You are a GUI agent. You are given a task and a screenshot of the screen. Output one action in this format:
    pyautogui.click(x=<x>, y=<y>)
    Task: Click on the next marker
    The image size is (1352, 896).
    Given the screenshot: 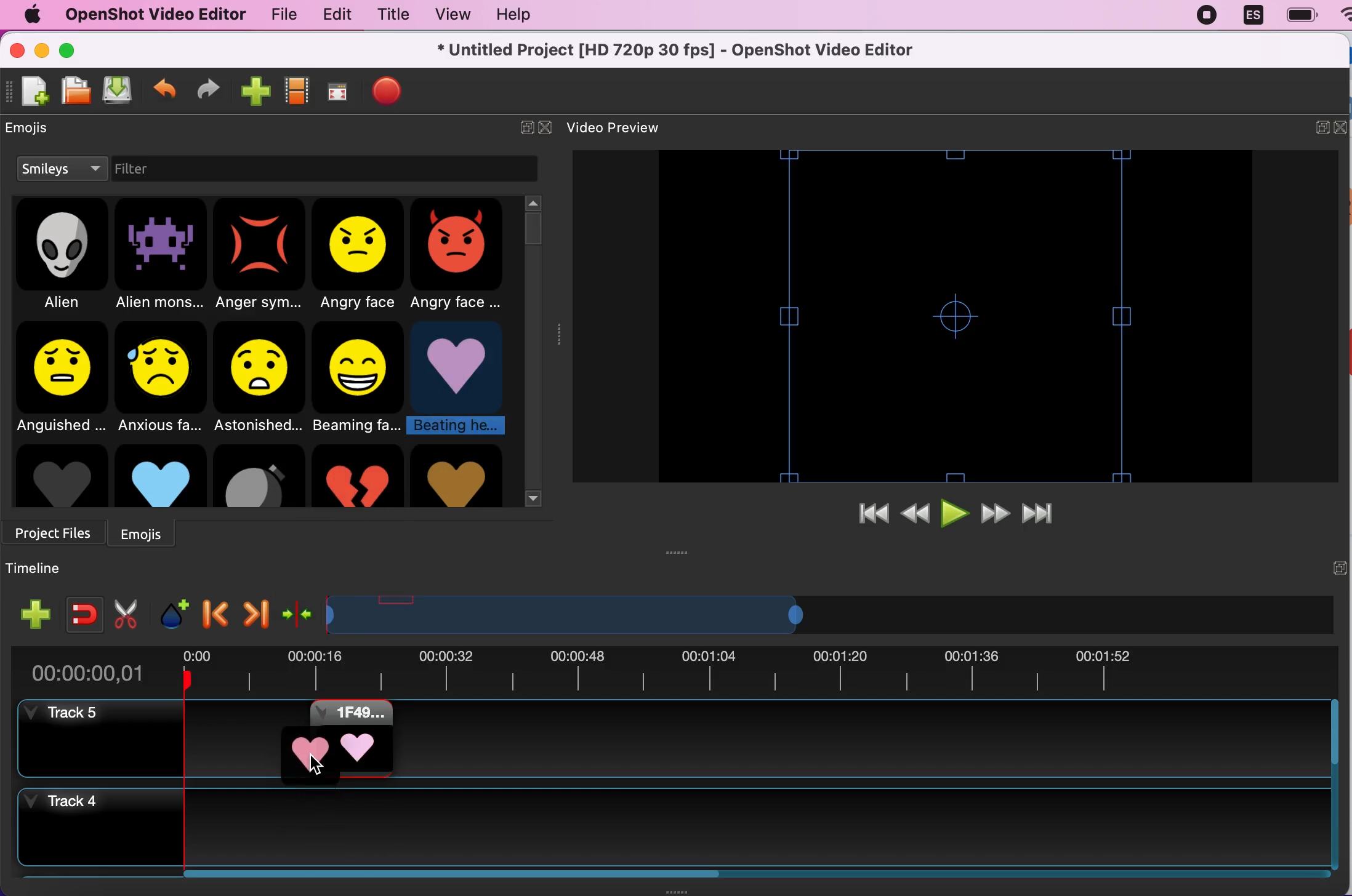 What is the action you would take?
    pyautogui.click(x=254, y=611)
    